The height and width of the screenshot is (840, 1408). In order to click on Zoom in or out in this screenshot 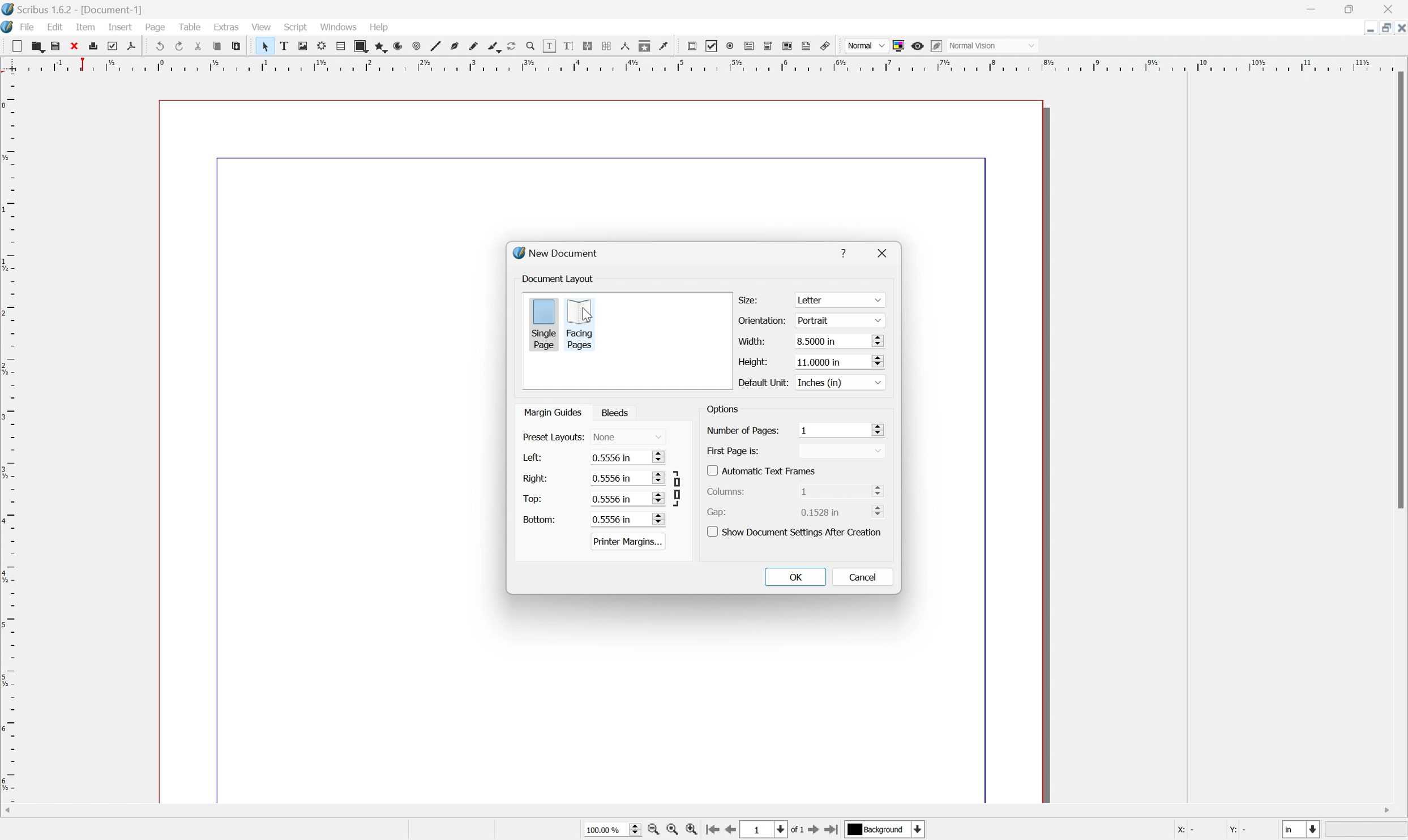, I will do `click(529, 44)`.